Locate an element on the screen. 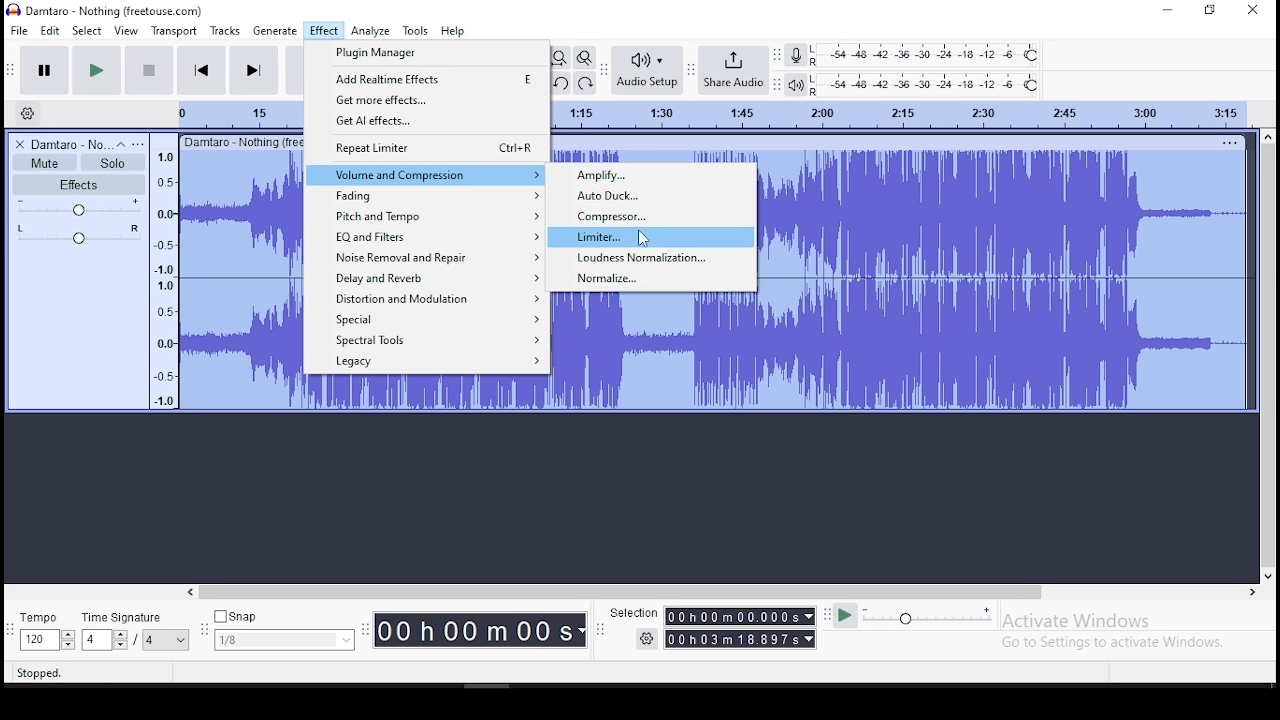  delay and reverb is located at coordinates (430, 278).